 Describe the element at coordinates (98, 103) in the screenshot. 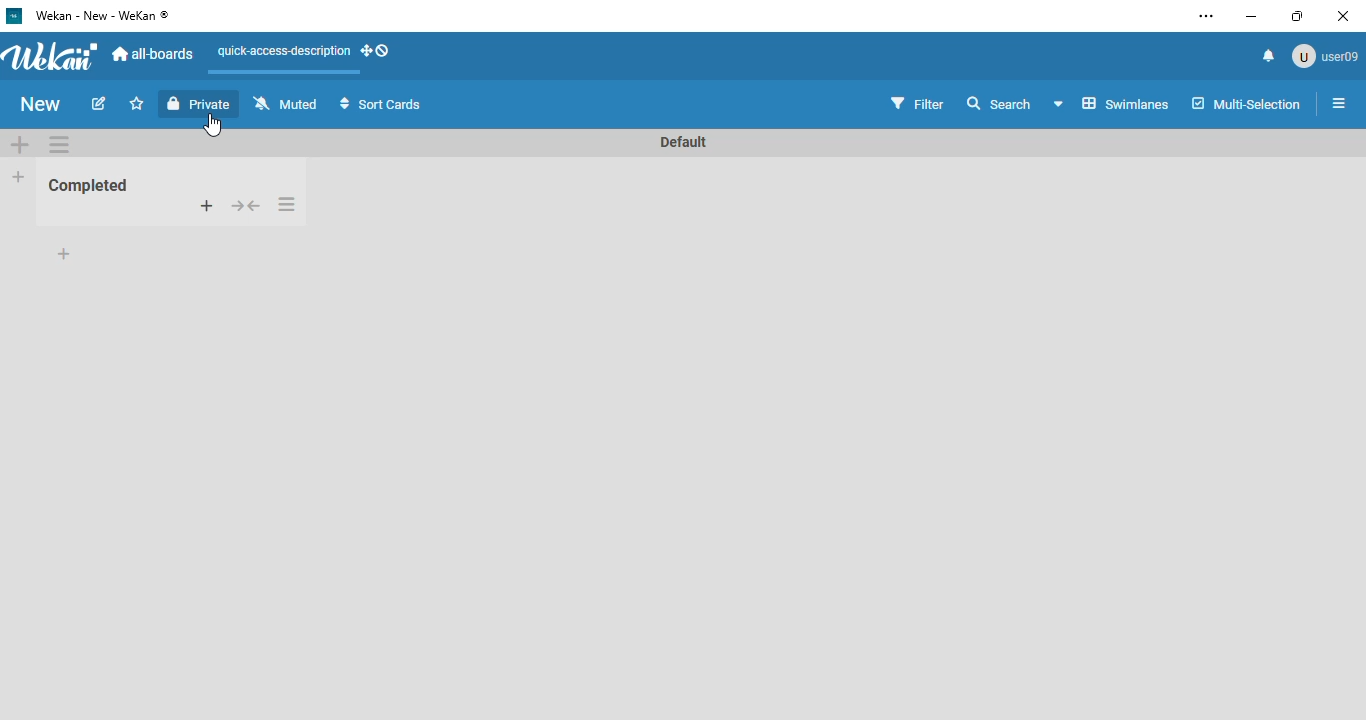

I see `edit` at that location.